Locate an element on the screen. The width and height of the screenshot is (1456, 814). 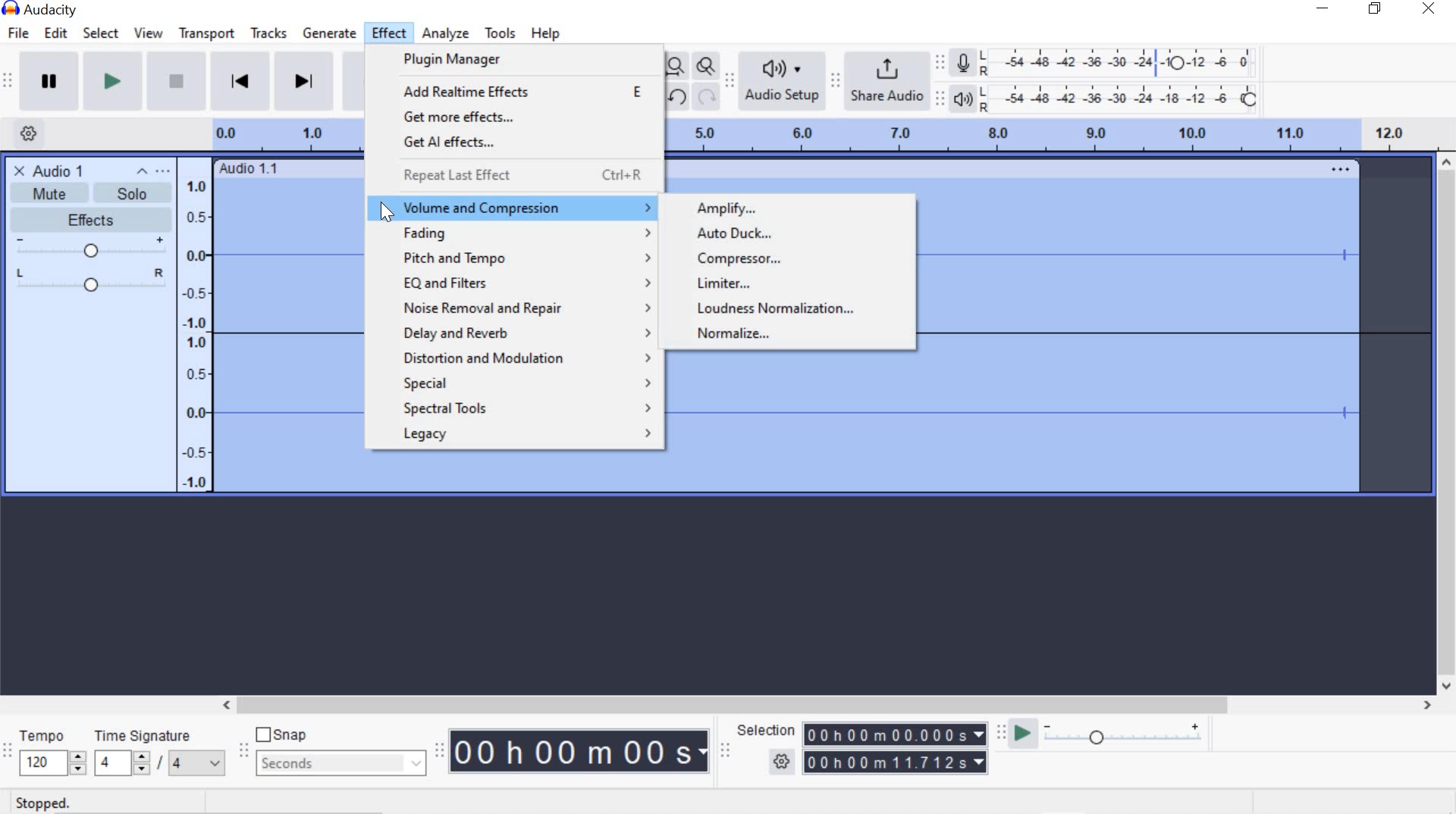
seconds is located at coordinates (338, 762).